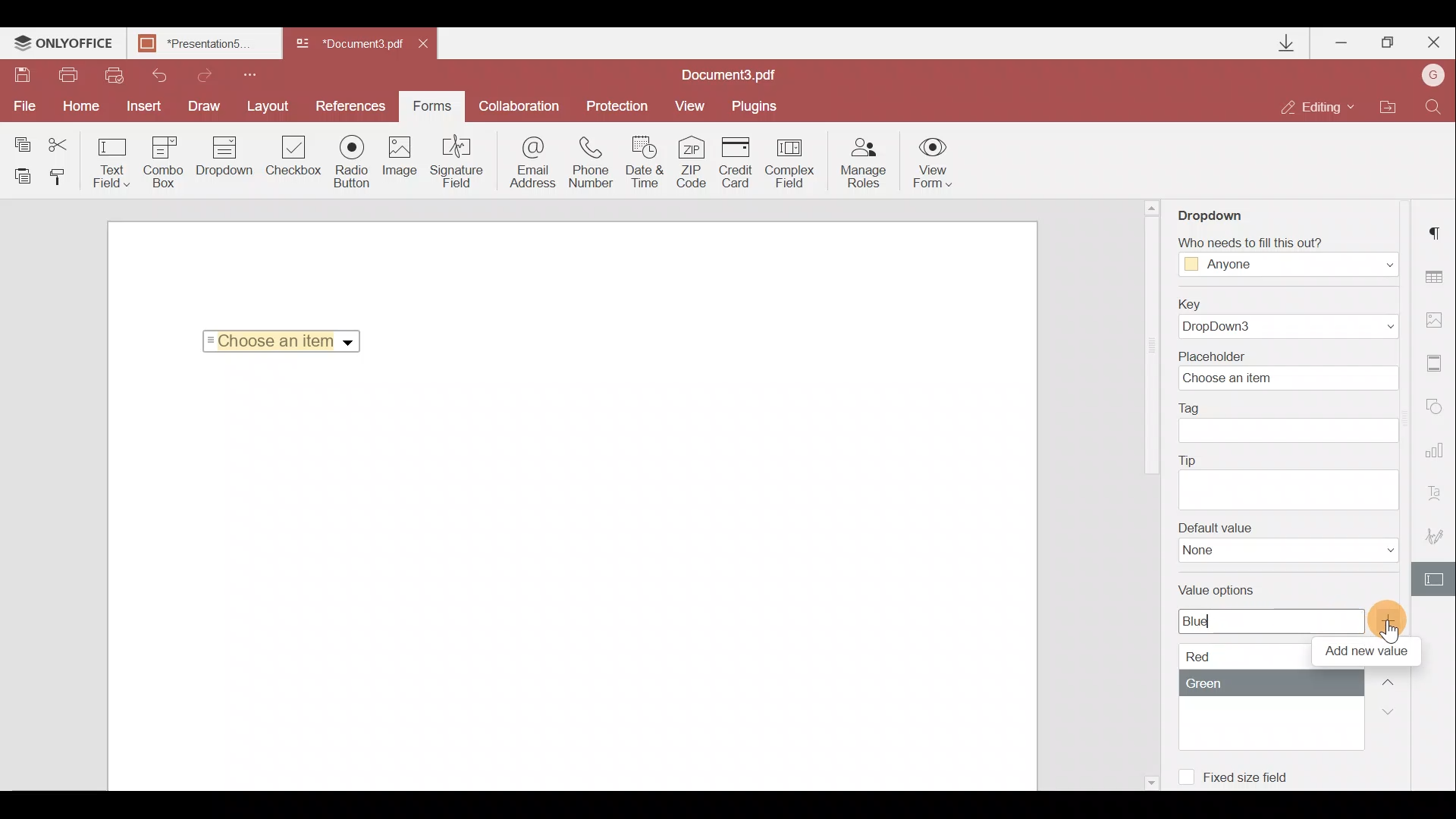 This screenshot has height=819, width=1456. Describe the element at coordinates (22, 75) in the screenshot. I see `Save` at that location.